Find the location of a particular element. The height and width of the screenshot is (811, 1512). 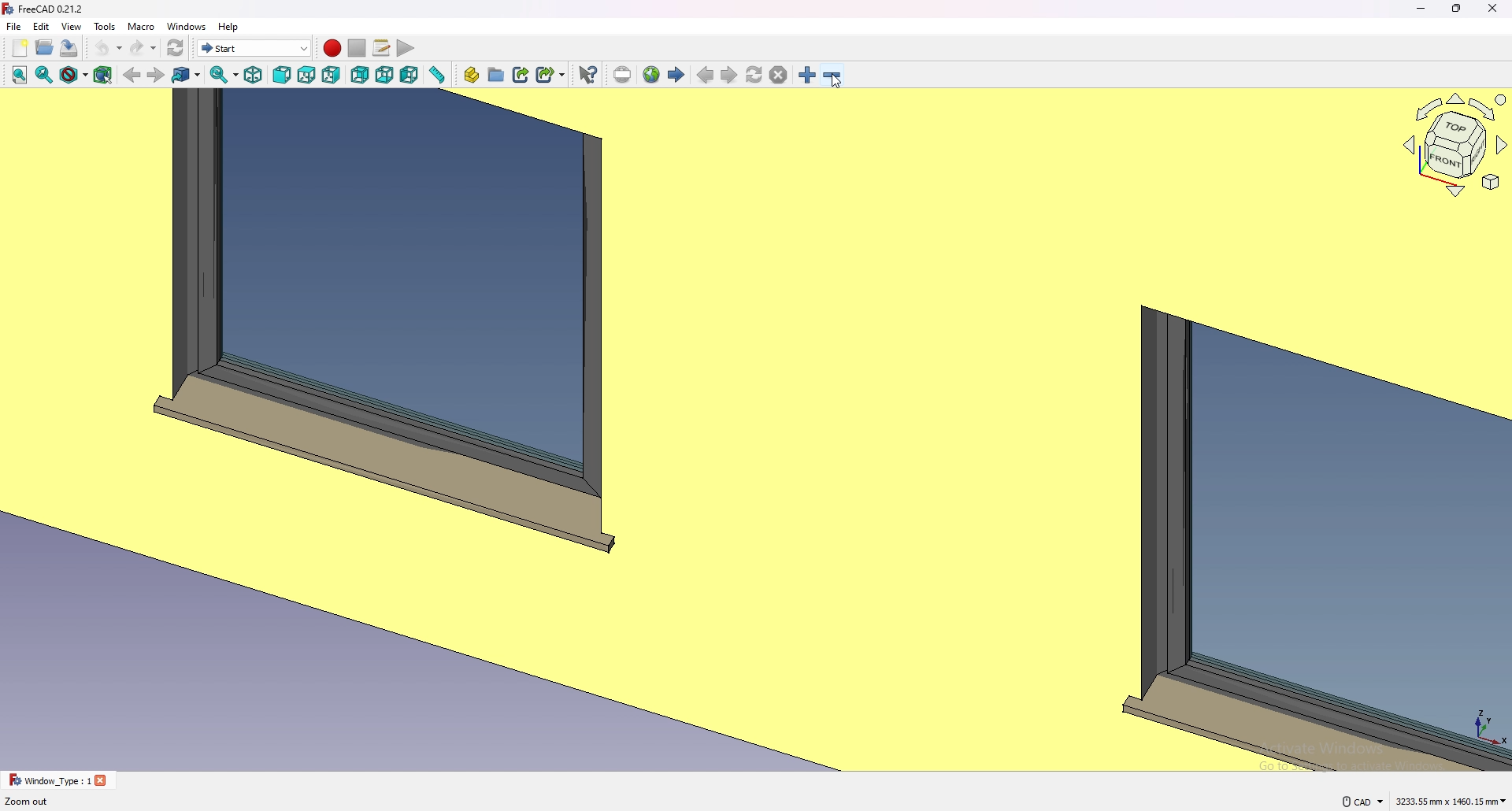

rear is located at coordinates (359, 76).